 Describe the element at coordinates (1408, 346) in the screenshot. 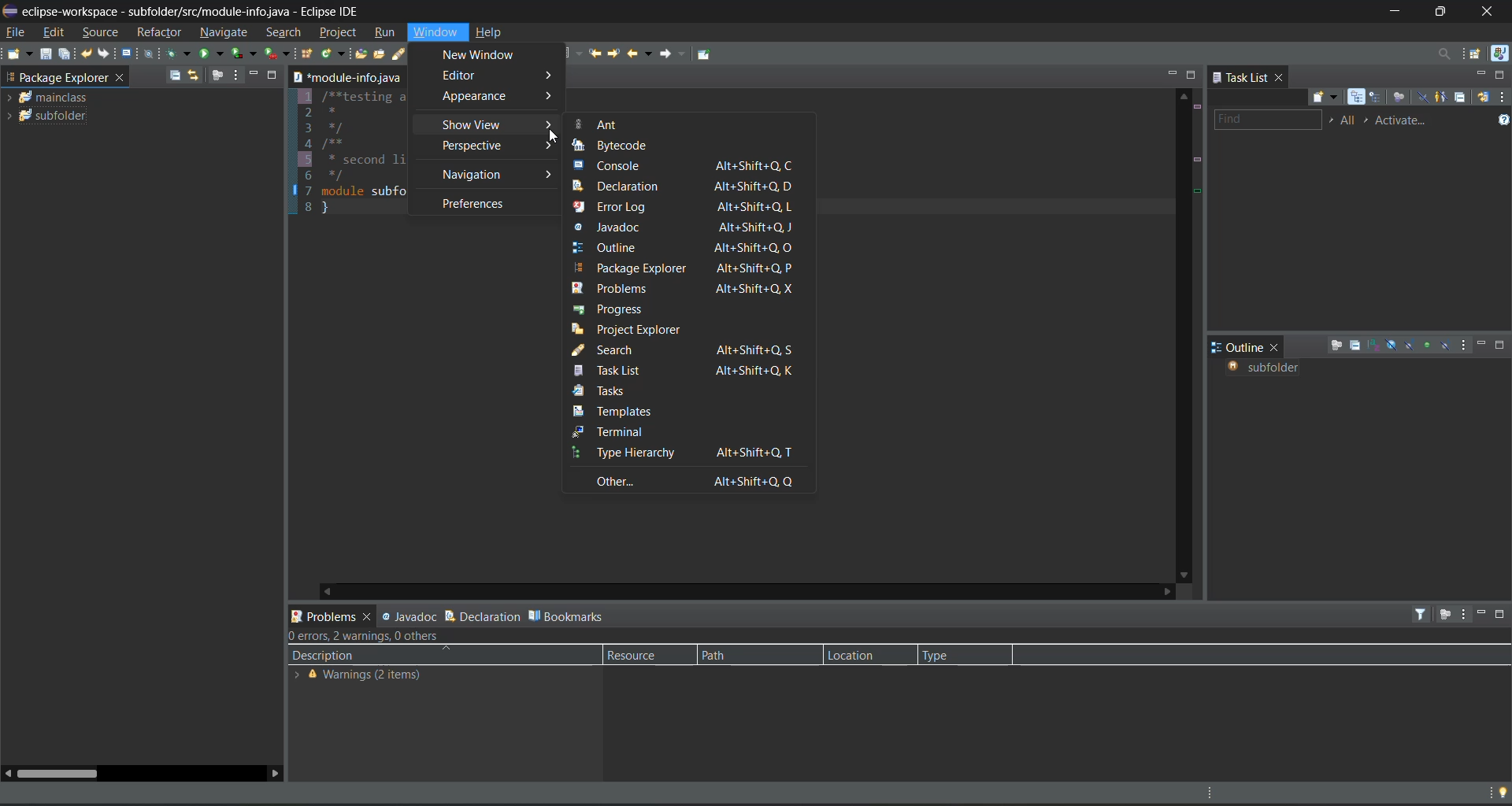

I see `hide static fields and methods` at that location.